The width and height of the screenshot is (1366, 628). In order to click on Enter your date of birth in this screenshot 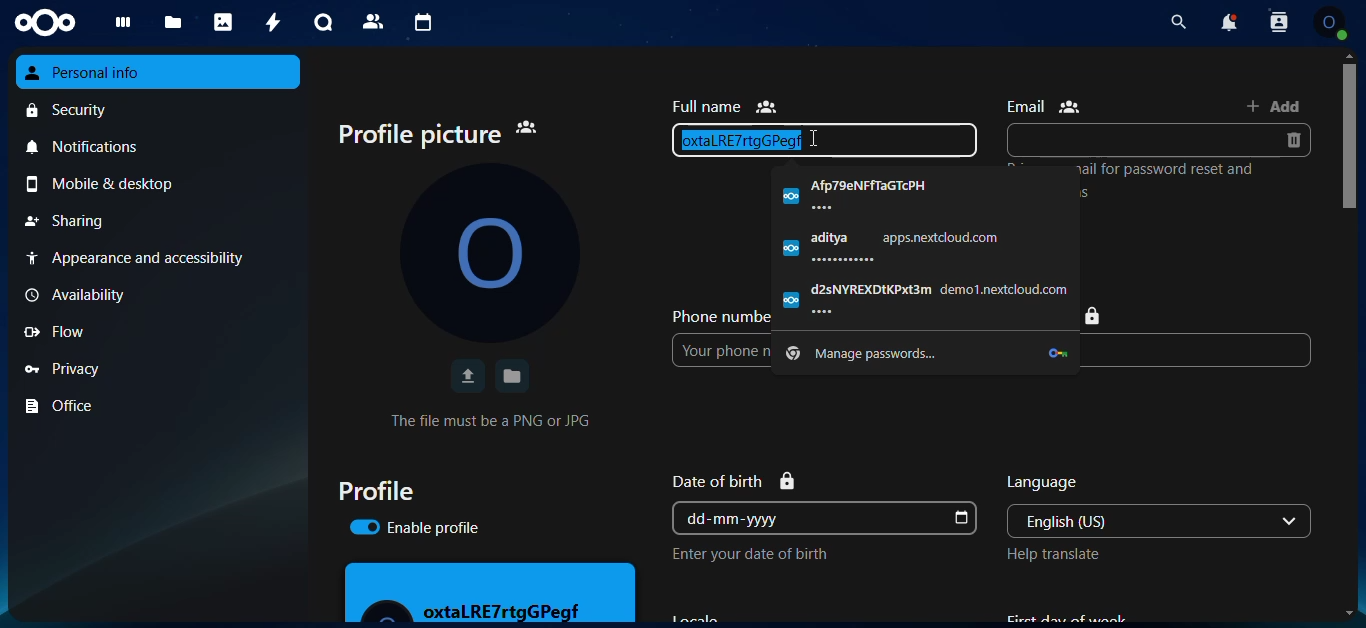, I will do `click(749, 554)`.